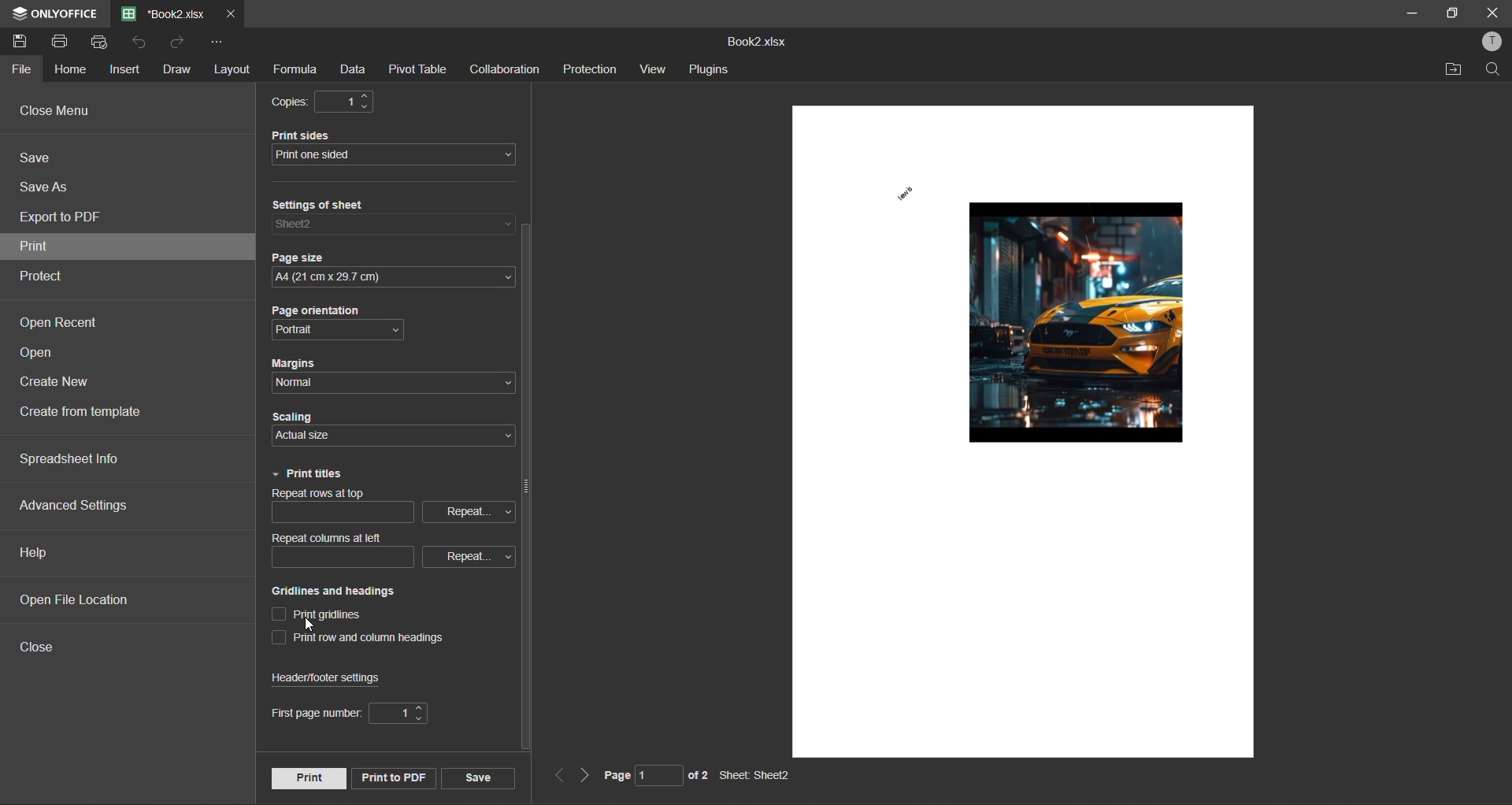 Image resolution: width=1512 pixels, height=805 pixels. I want to click on undo, so click(139, 42).